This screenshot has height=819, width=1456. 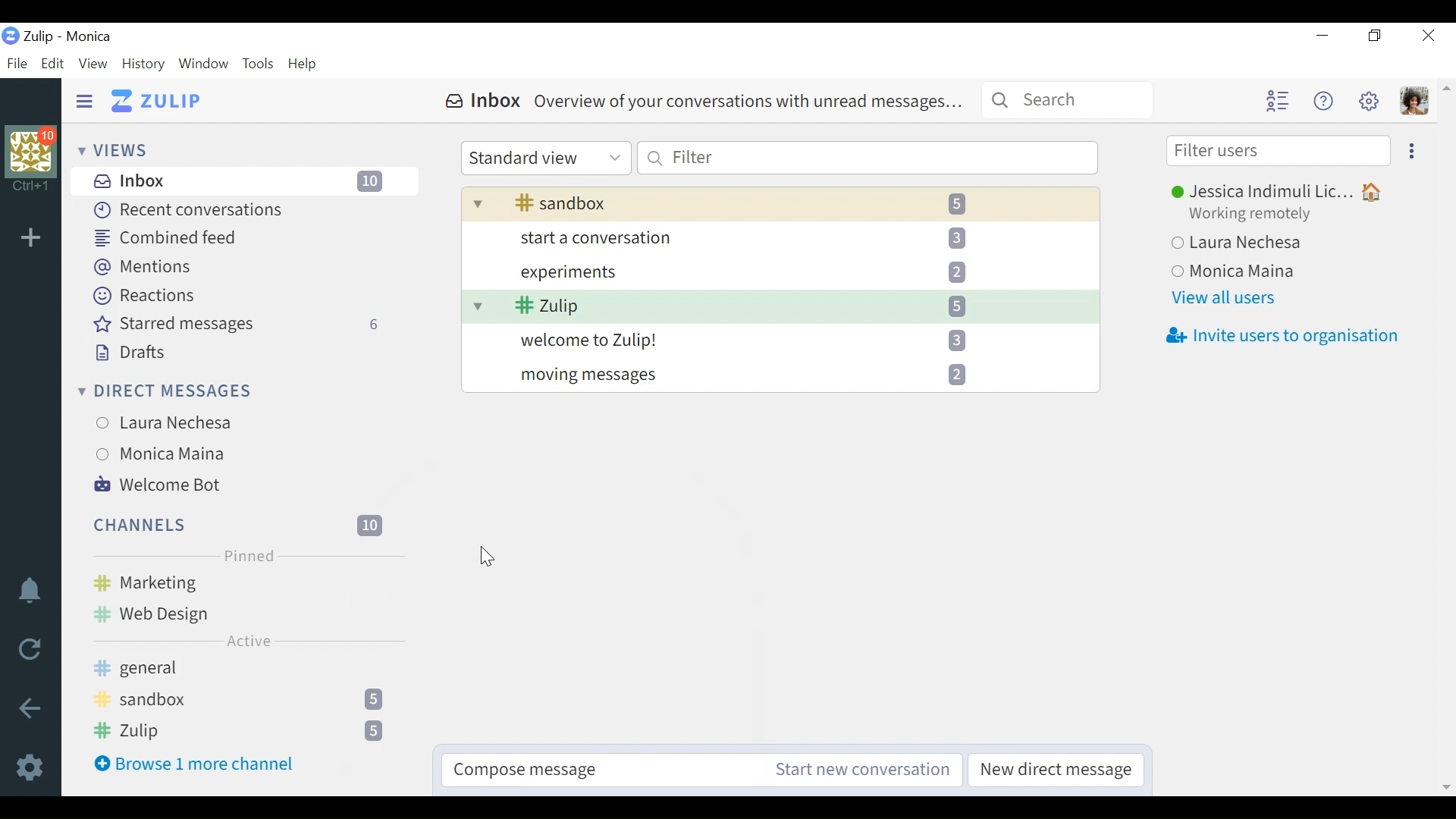 What do you see at coordinates (1412, 149) in the screenshot?
I see `Ellipse` at bounding box center [1412, 149].